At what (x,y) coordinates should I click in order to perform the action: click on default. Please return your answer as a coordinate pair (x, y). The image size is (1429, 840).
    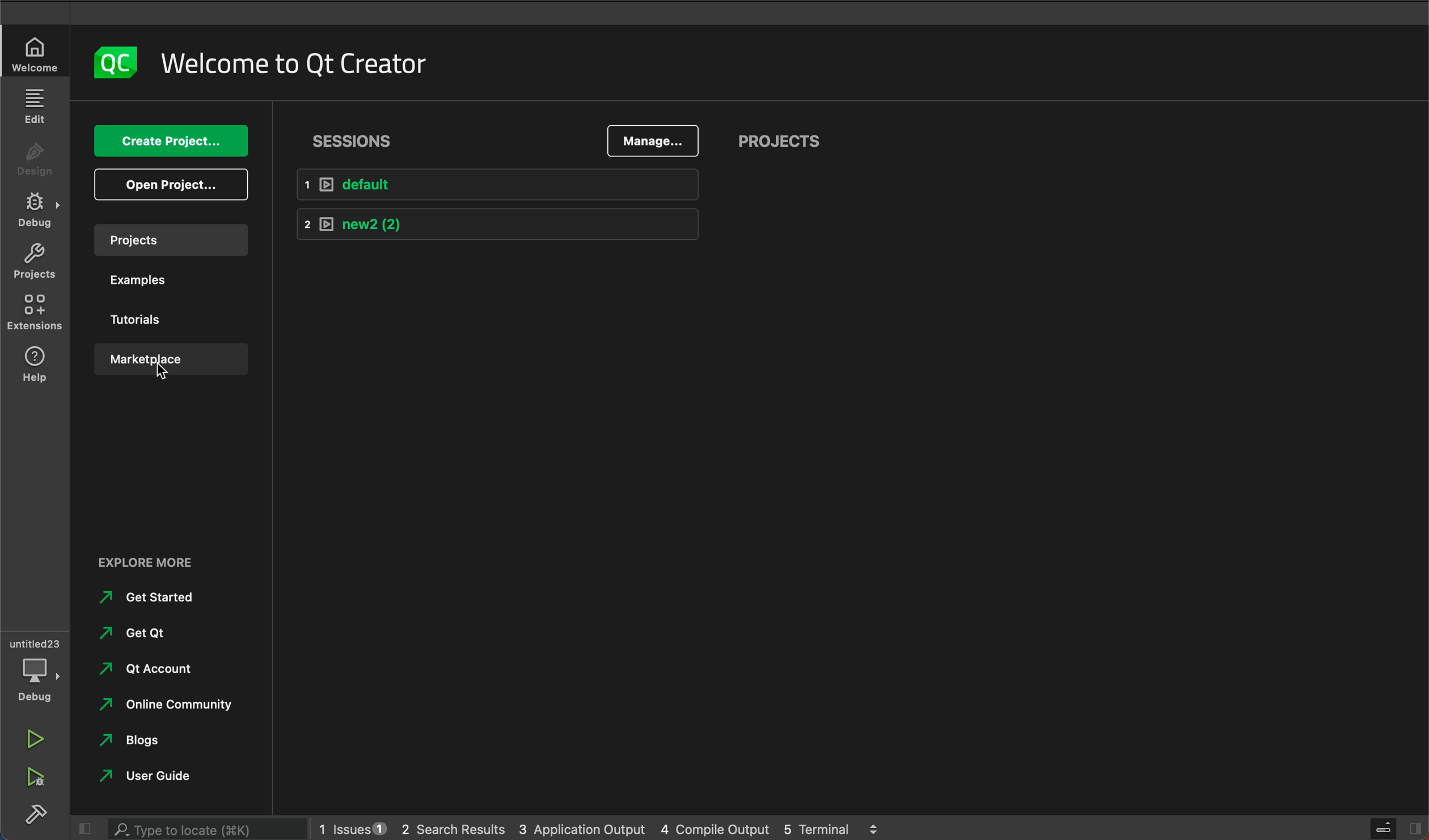
    Looking at the image, I should click on (498, 185).